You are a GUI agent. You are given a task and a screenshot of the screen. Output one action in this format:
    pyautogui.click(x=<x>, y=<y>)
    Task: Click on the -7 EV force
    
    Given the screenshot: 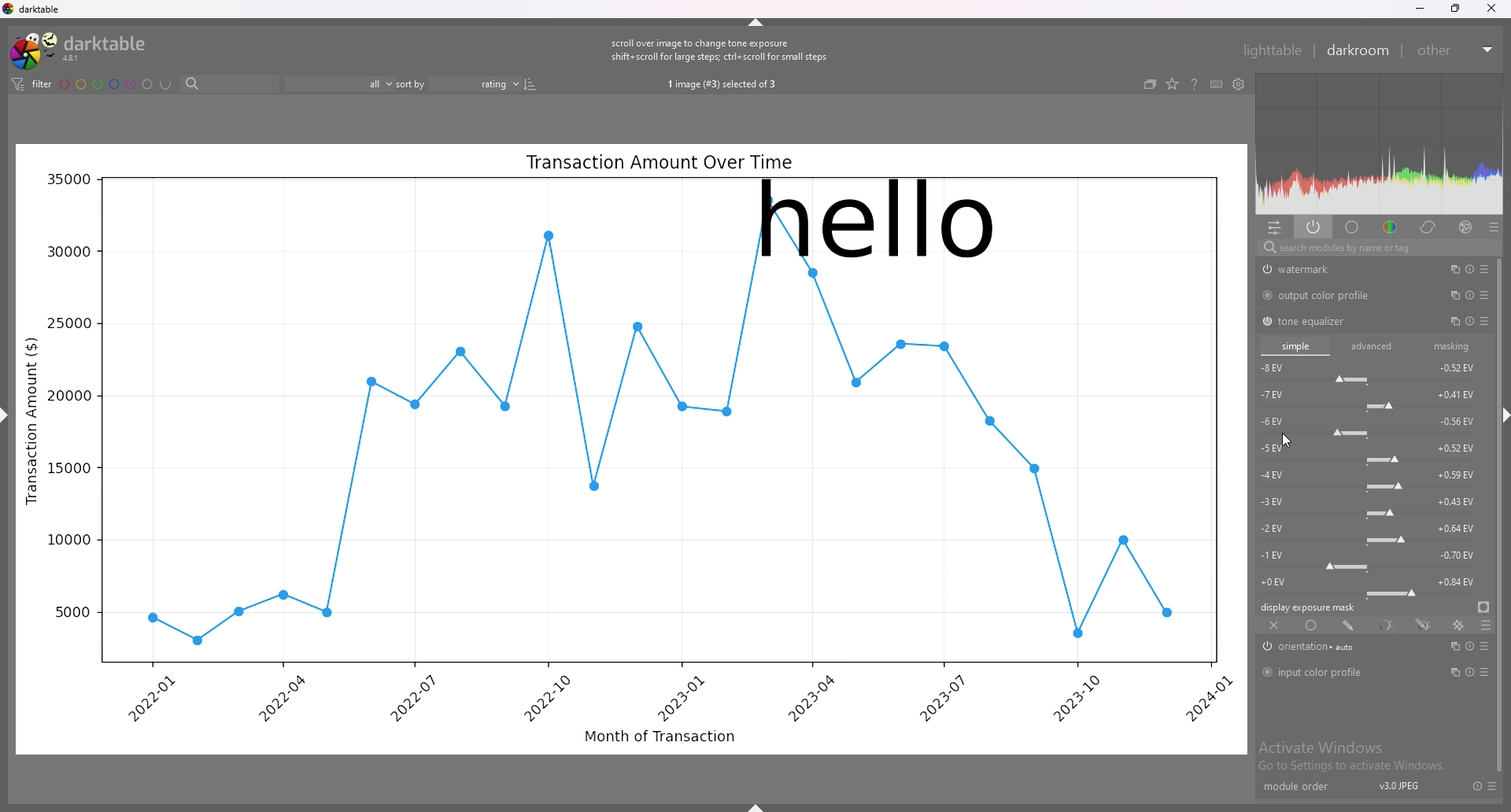 What is the action you would take?
    pyautogui.click(x=1369, y=398)
    